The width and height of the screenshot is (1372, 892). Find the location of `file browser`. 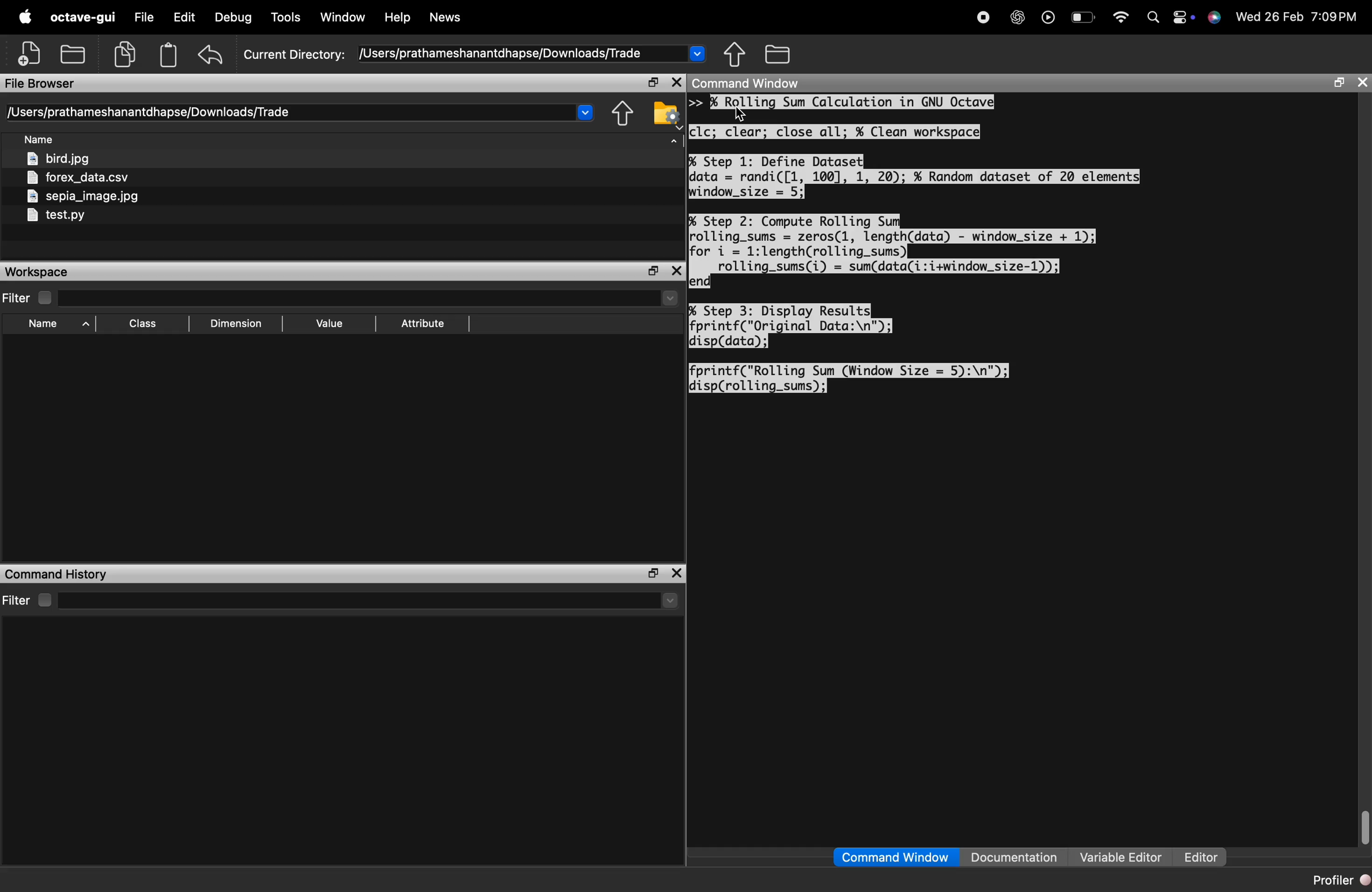

file browser is located at coordinates (47, 84).